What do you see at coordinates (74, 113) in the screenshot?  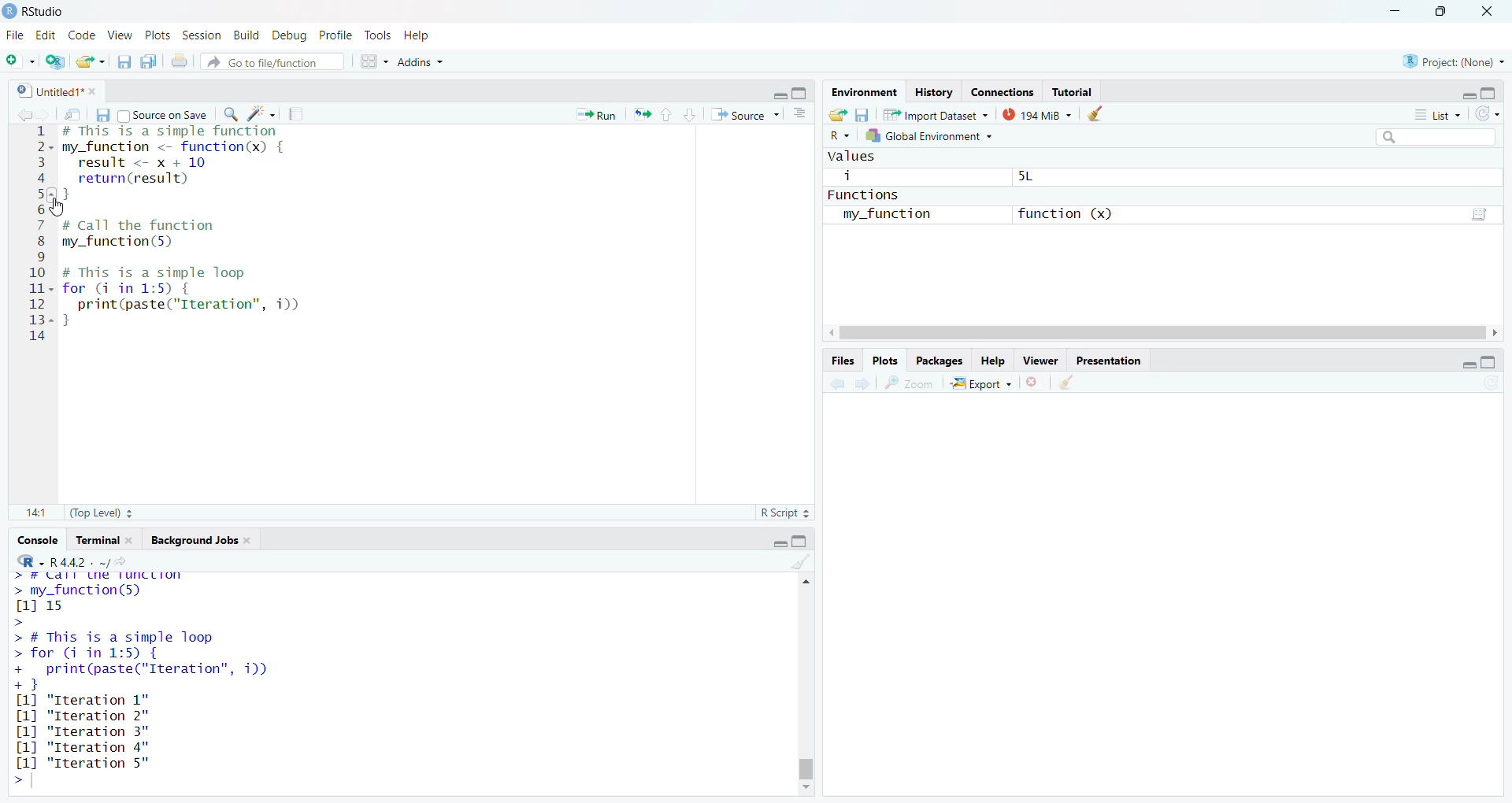 I see `show in new window` at bounding box center [74, 113].